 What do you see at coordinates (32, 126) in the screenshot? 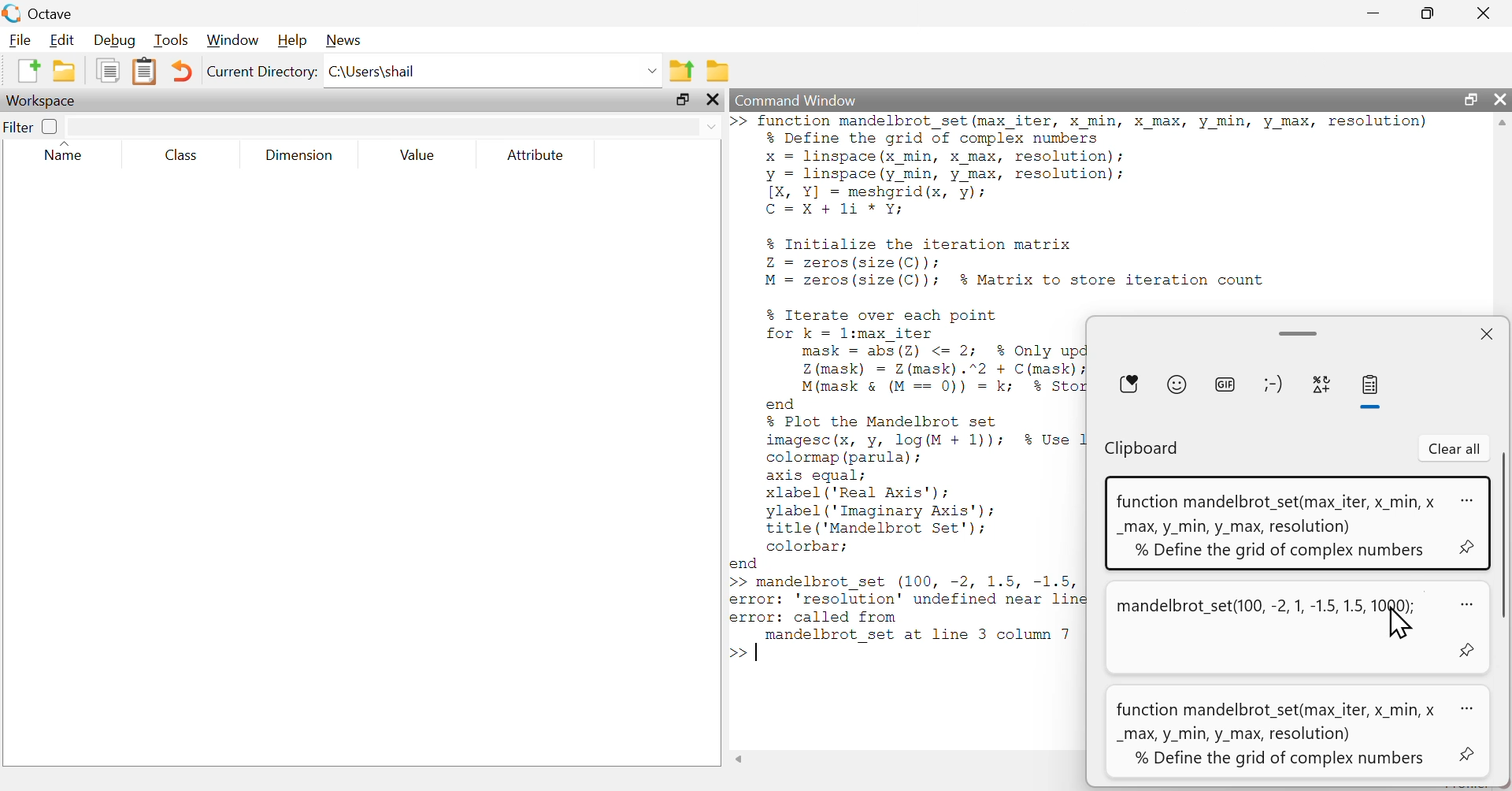
I see `Filter` at bounding box center [32, 126].